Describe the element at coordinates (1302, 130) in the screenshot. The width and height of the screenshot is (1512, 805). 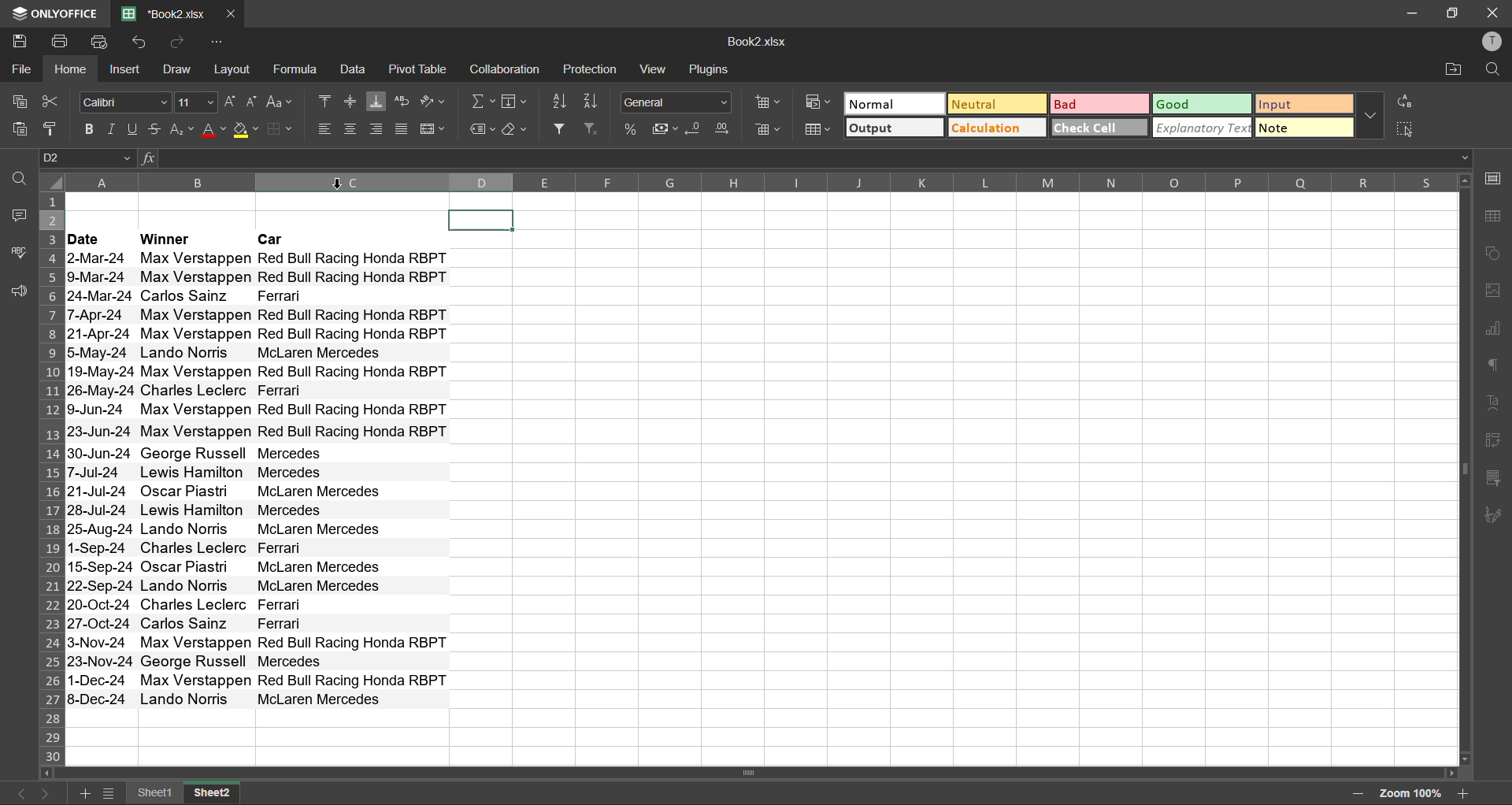
I see `note` at that location.